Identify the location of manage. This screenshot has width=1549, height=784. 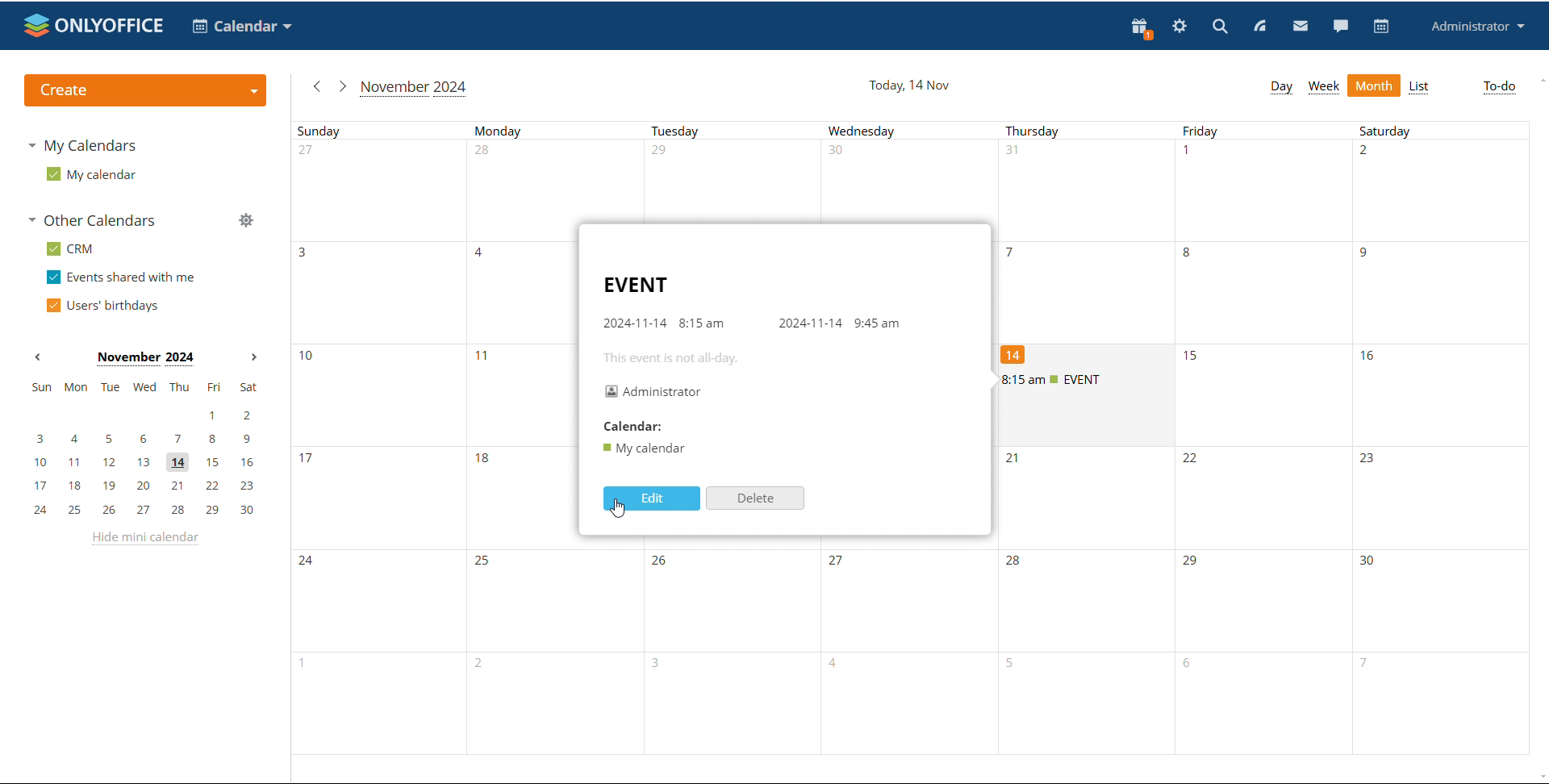
(246, 220).